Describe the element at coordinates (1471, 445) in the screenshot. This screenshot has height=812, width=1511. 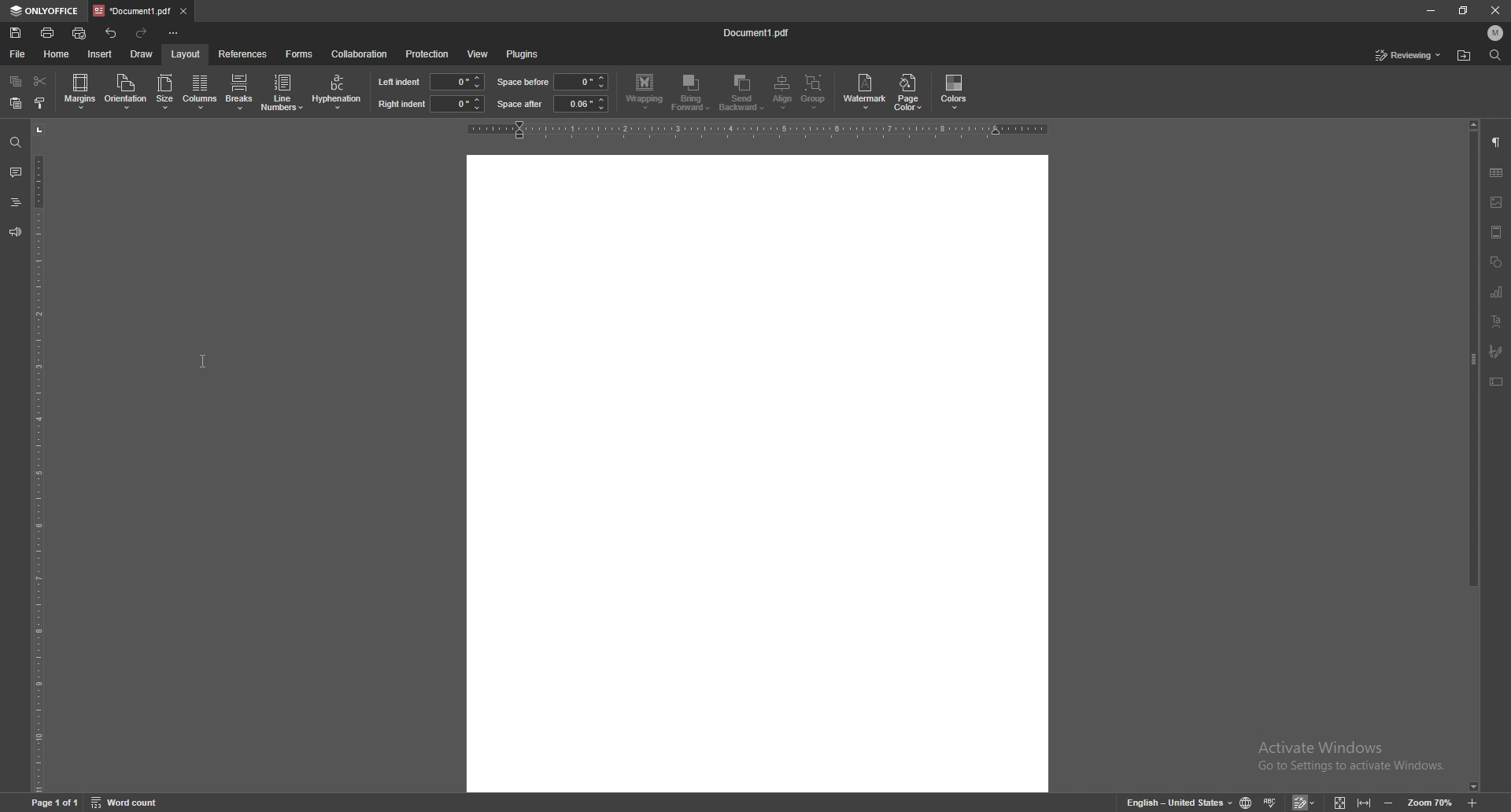
I see `scroll bar` at that location.